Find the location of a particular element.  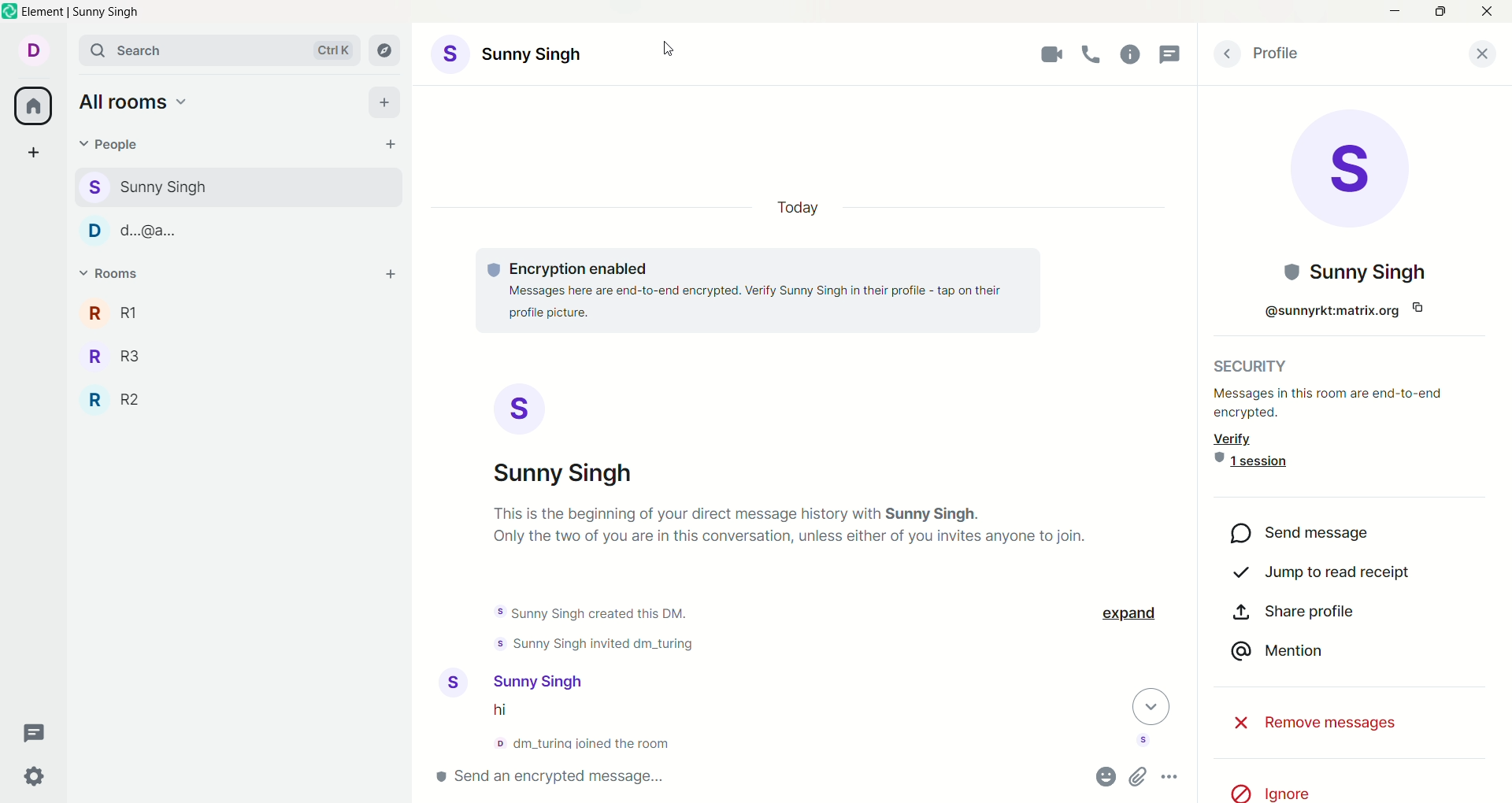

rooms is located at coordinates (112, 276).